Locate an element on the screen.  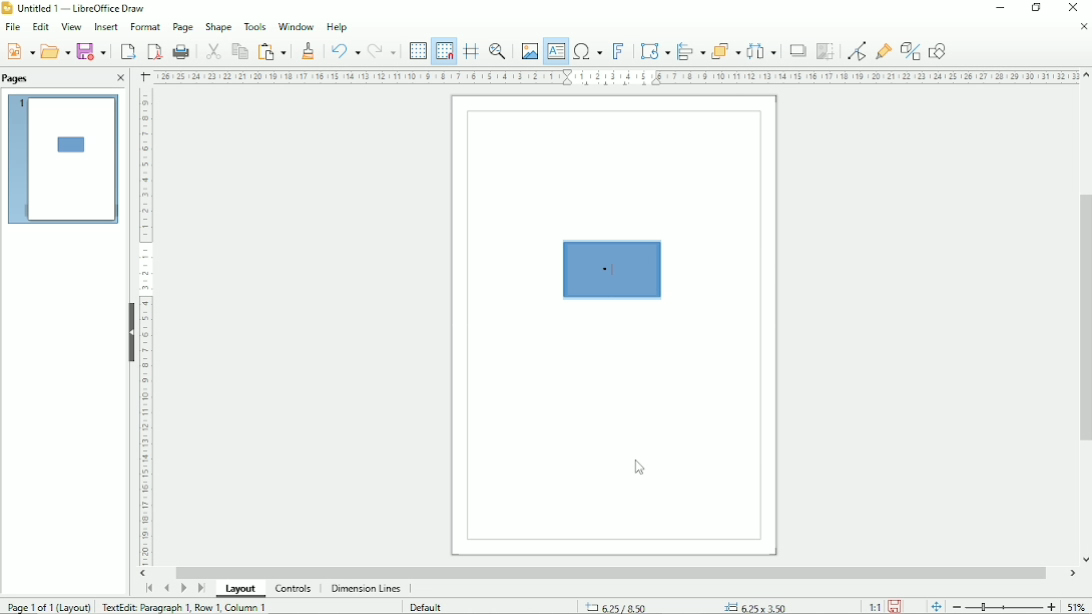
TextEdit:  Paragraph 1, Row 1, Column 1 is located at coordinates (185, 607).